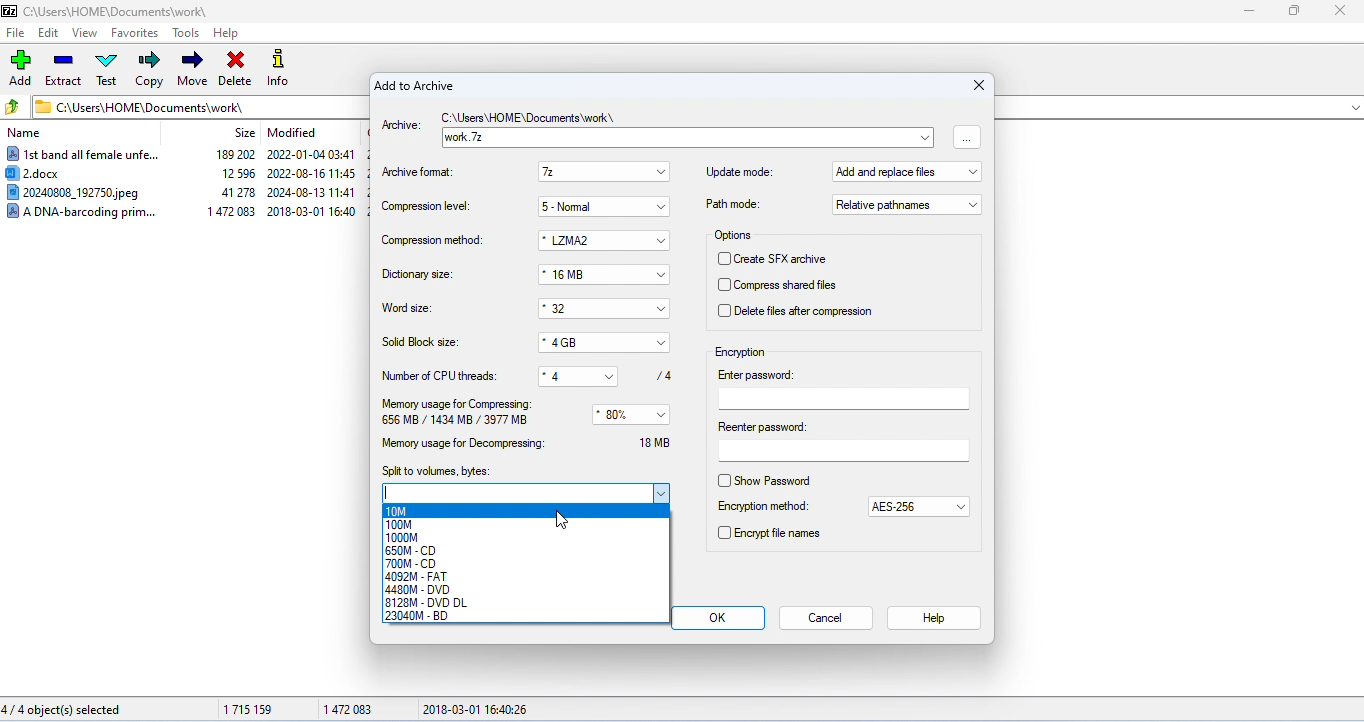 The image size is (1364, 722). I want to click on * 4GB, so click(592, 343).